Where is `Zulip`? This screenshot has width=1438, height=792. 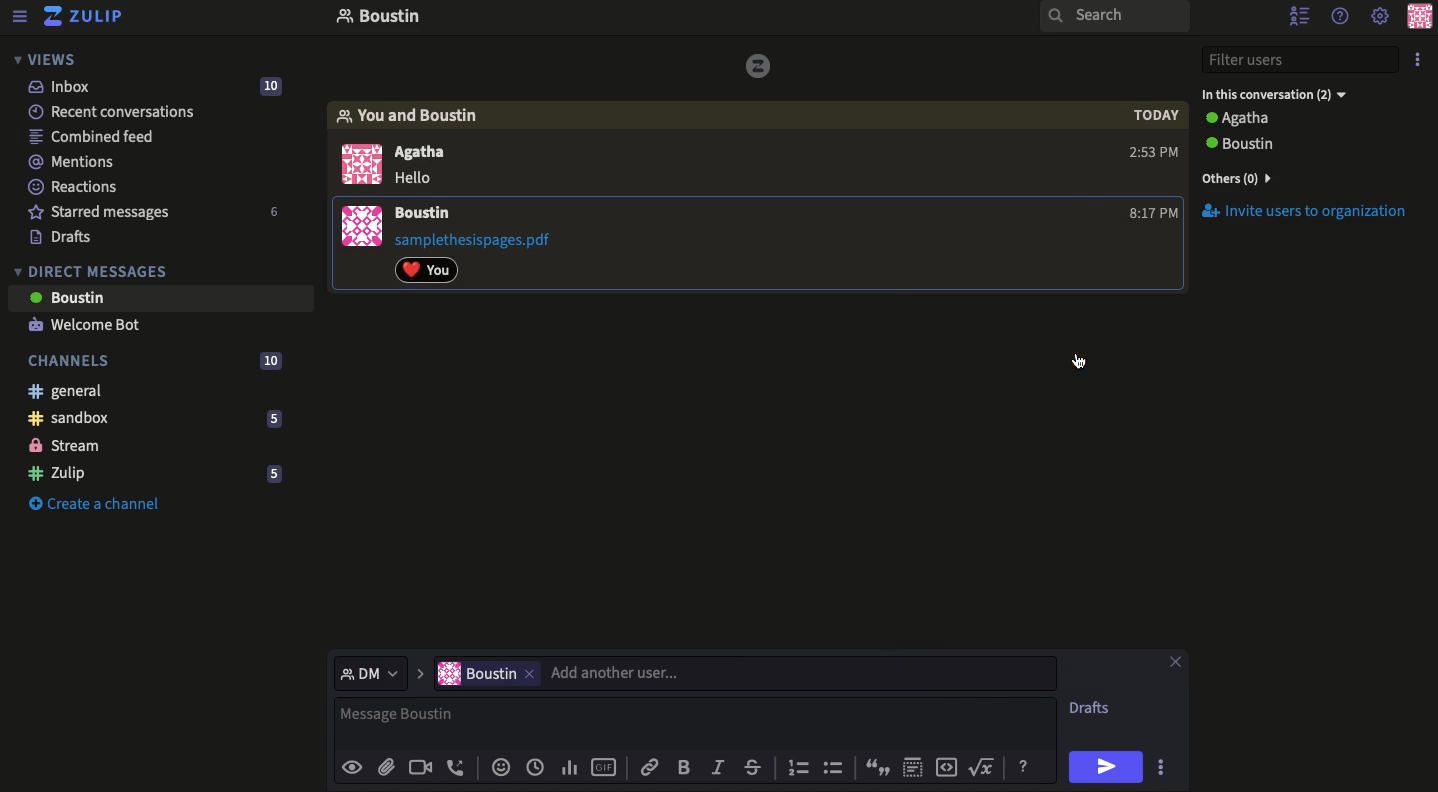
Zulip is located at coordinates (84, 15).